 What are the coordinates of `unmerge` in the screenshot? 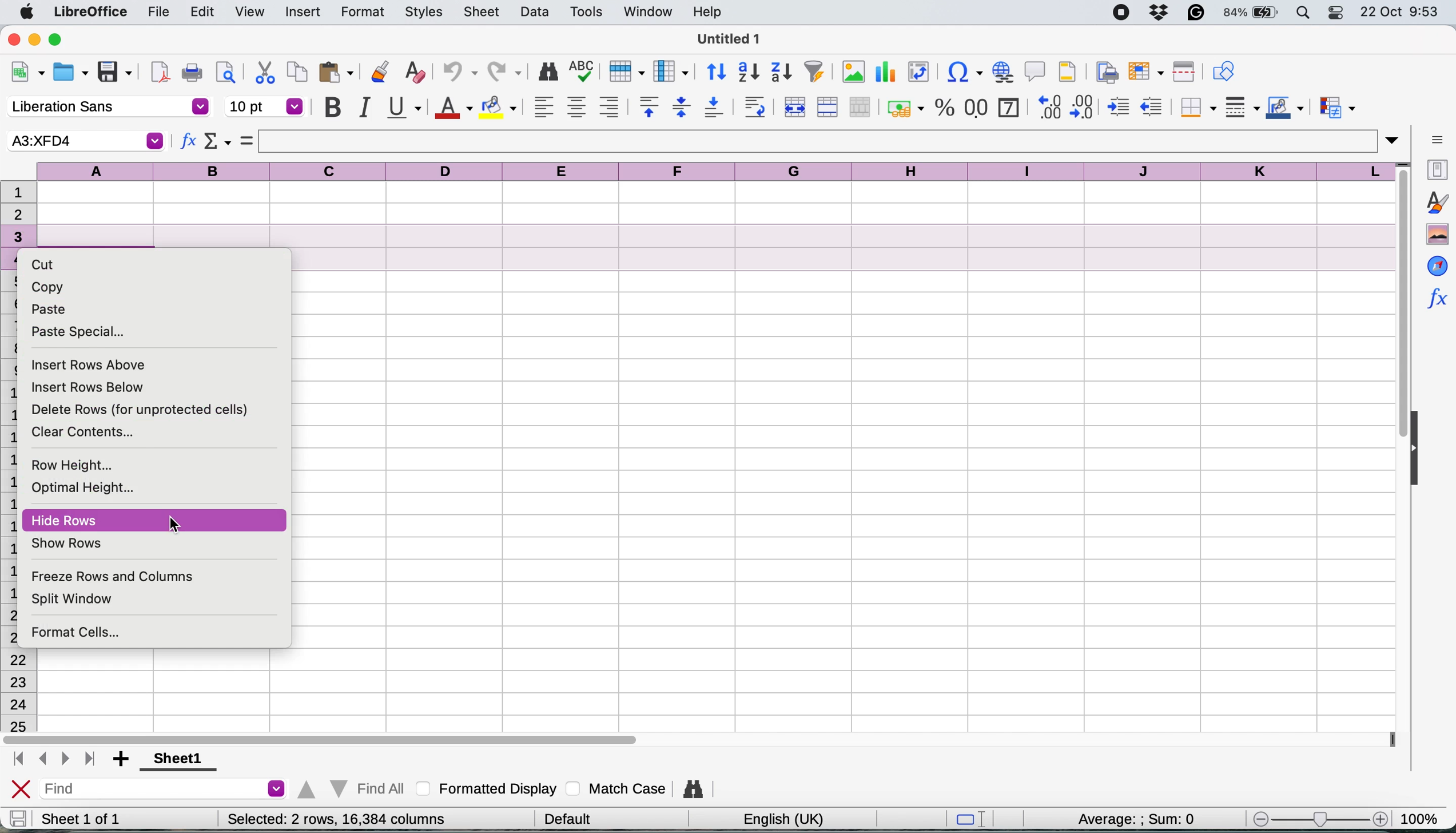 It's located at (860, 108).